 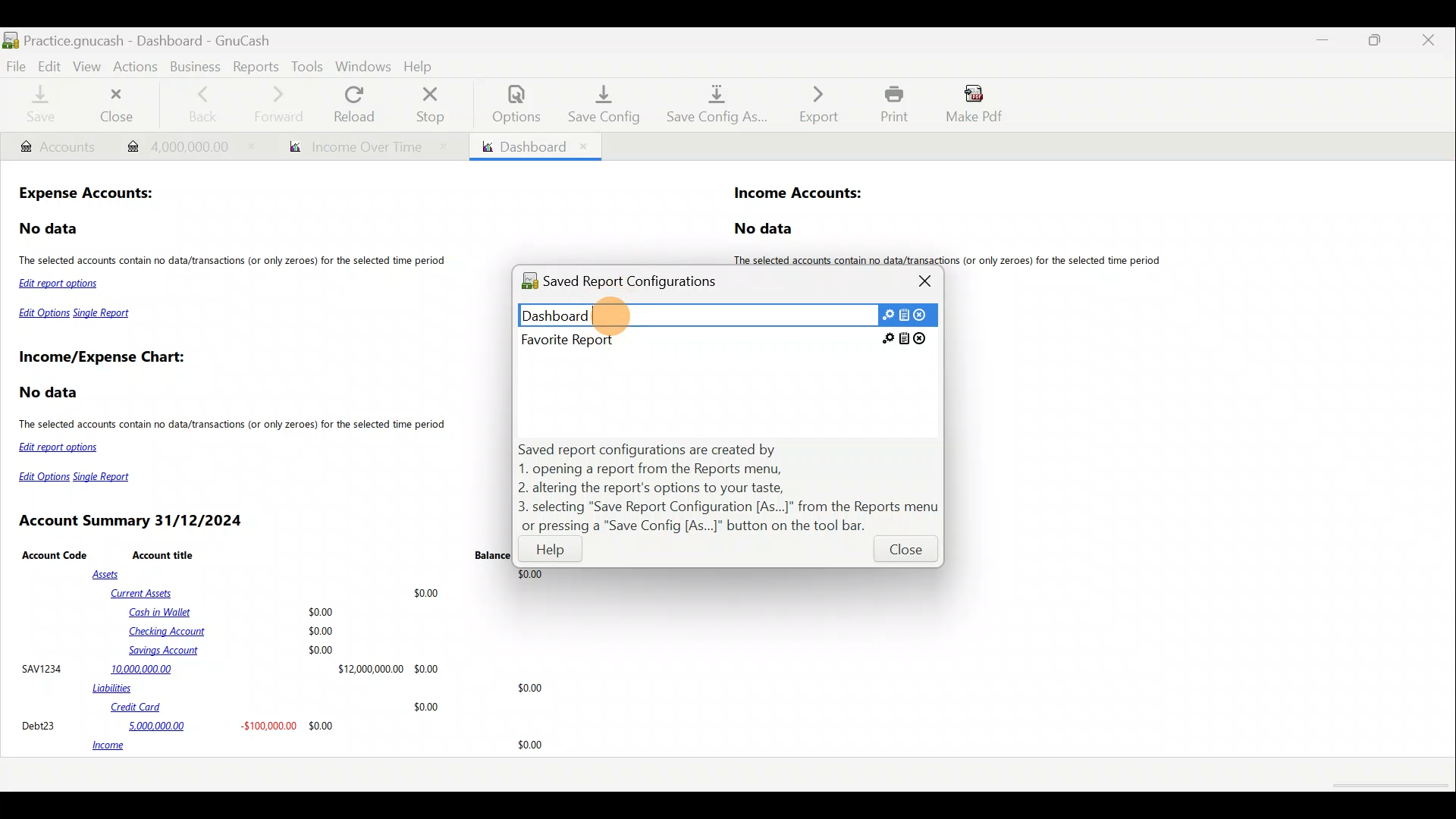 I want to click on Export, so click(x=811, y=104).